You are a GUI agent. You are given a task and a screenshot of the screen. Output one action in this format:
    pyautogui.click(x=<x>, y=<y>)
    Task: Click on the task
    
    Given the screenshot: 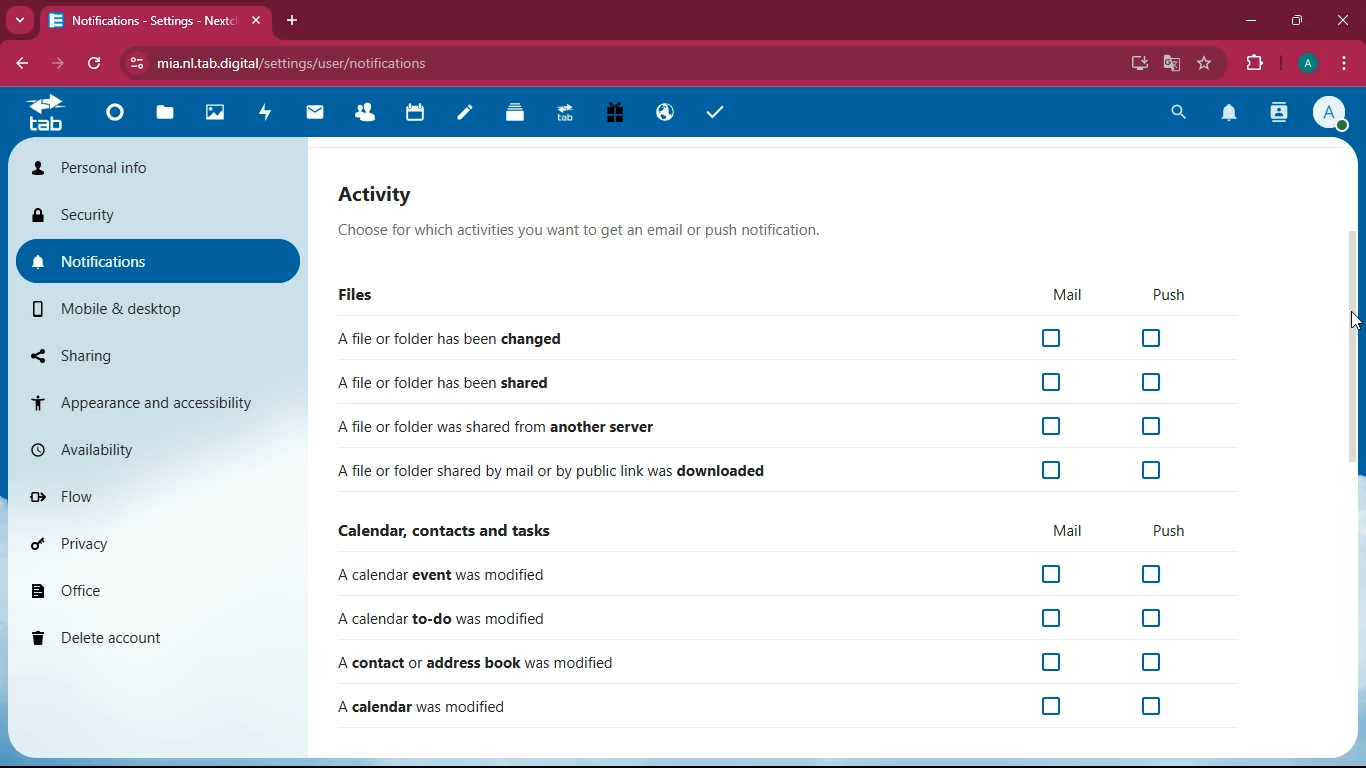 What is the action you would take?
    pyautogui.click(x=720, y=115)
    